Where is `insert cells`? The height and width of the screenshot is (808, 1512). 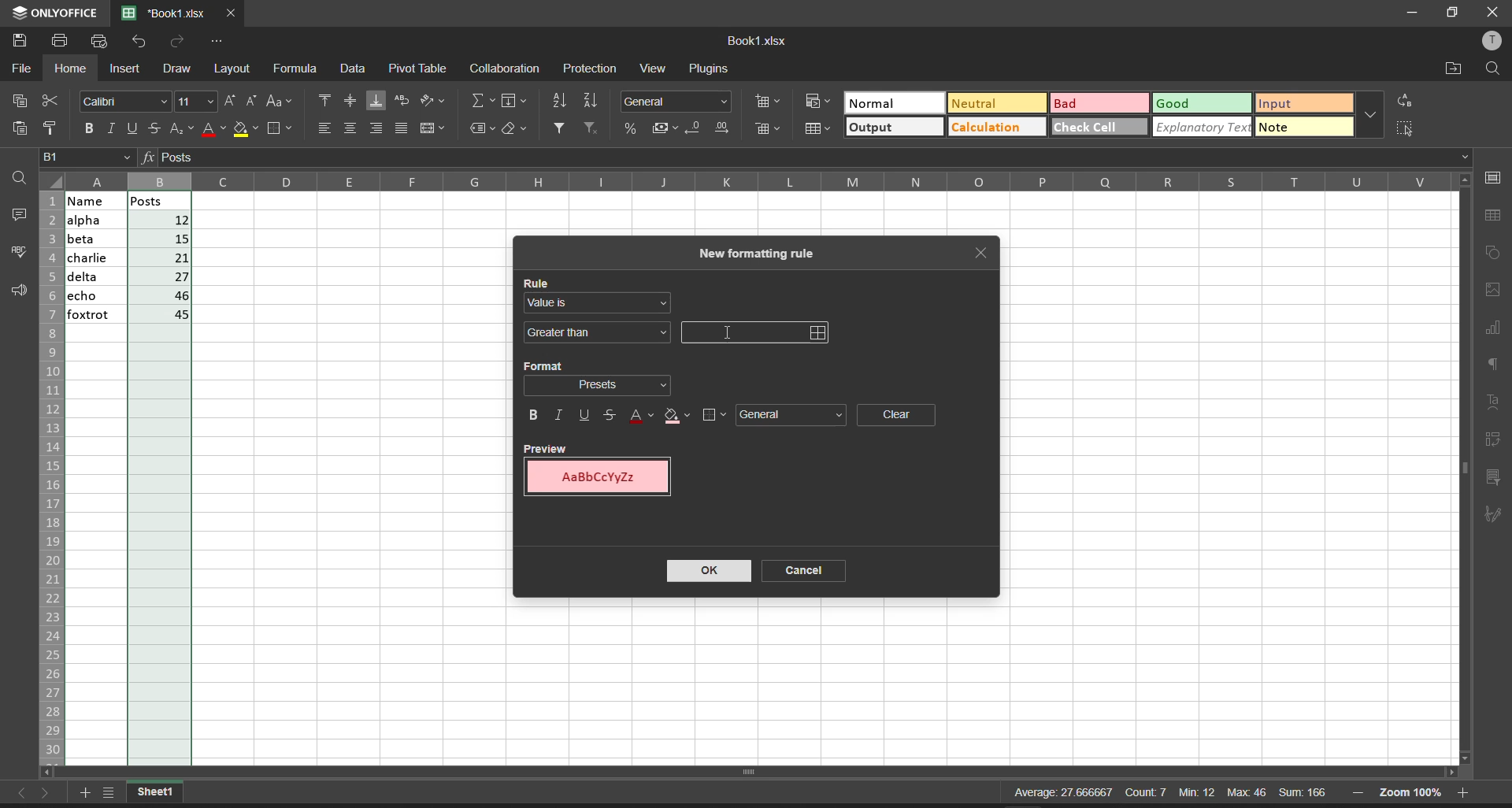 insert cells is located at coordinates (770, 101).